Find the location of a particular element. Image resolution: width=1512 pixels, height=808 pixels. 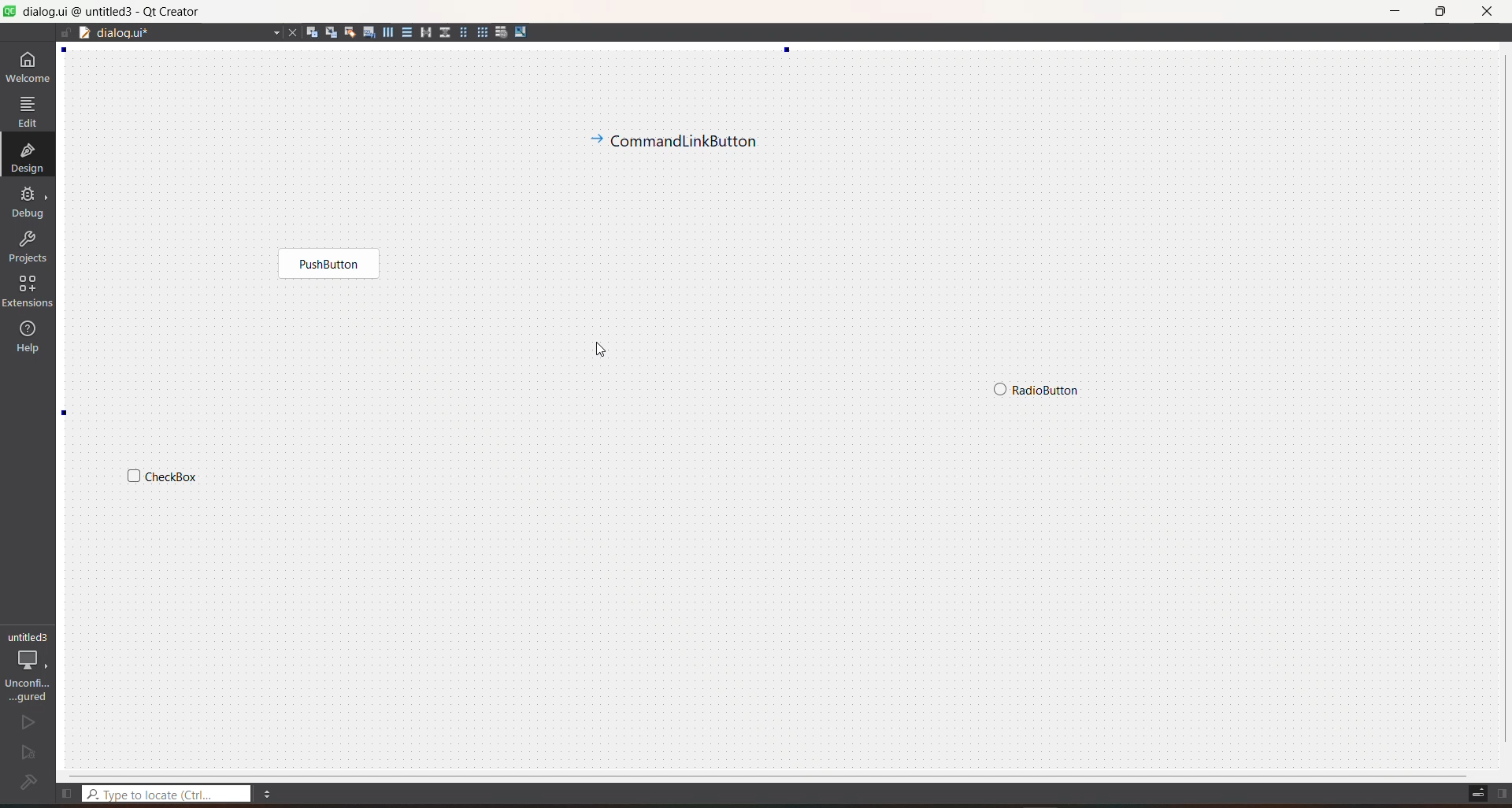

run is located at coordinates (27, 723).